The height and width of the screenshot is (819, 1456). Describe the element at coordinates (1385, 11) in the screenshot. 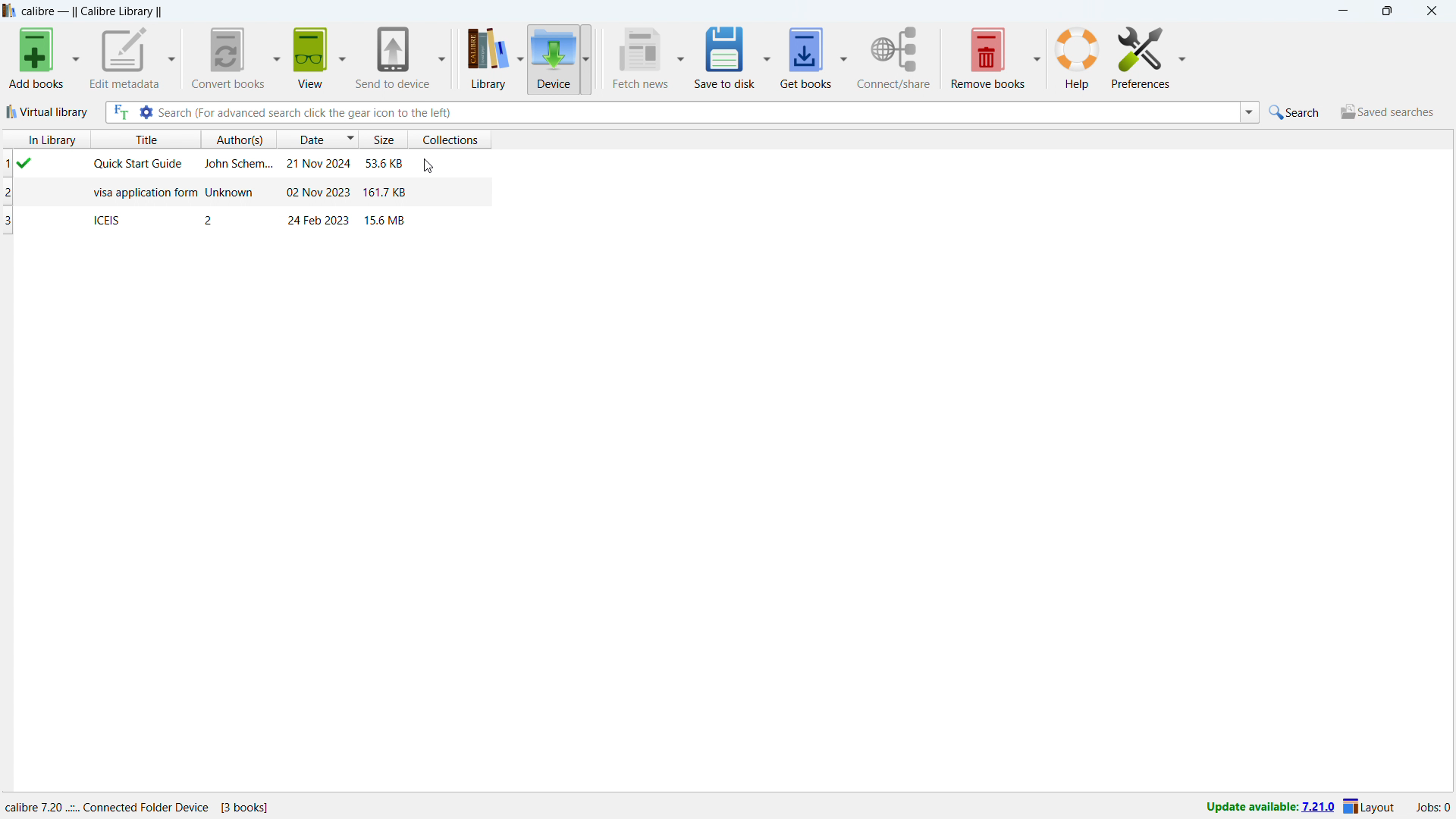

I see `maximize` at that location.